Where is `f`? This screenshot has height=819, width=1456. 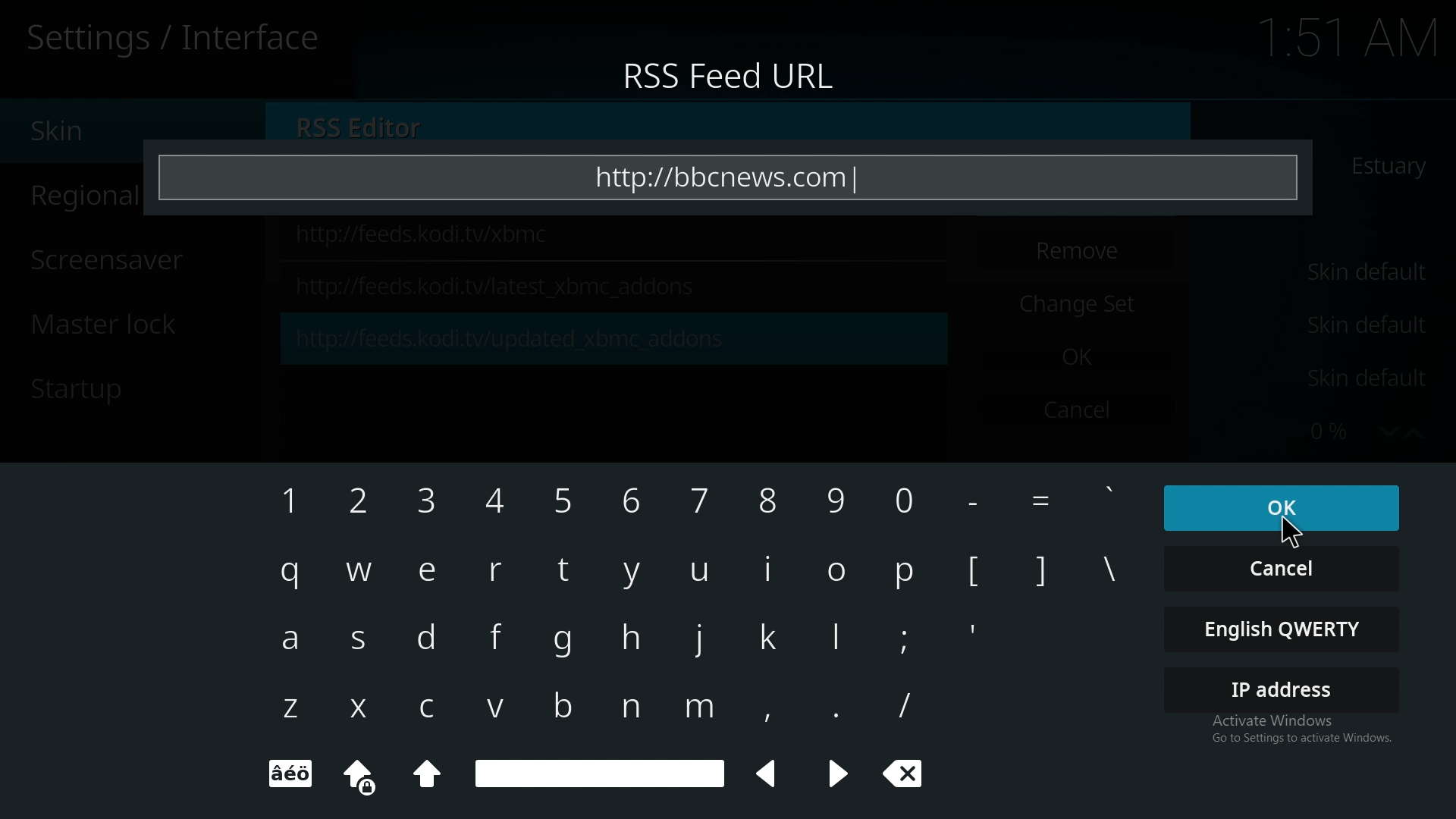
f is located at coordinates (502, 640).